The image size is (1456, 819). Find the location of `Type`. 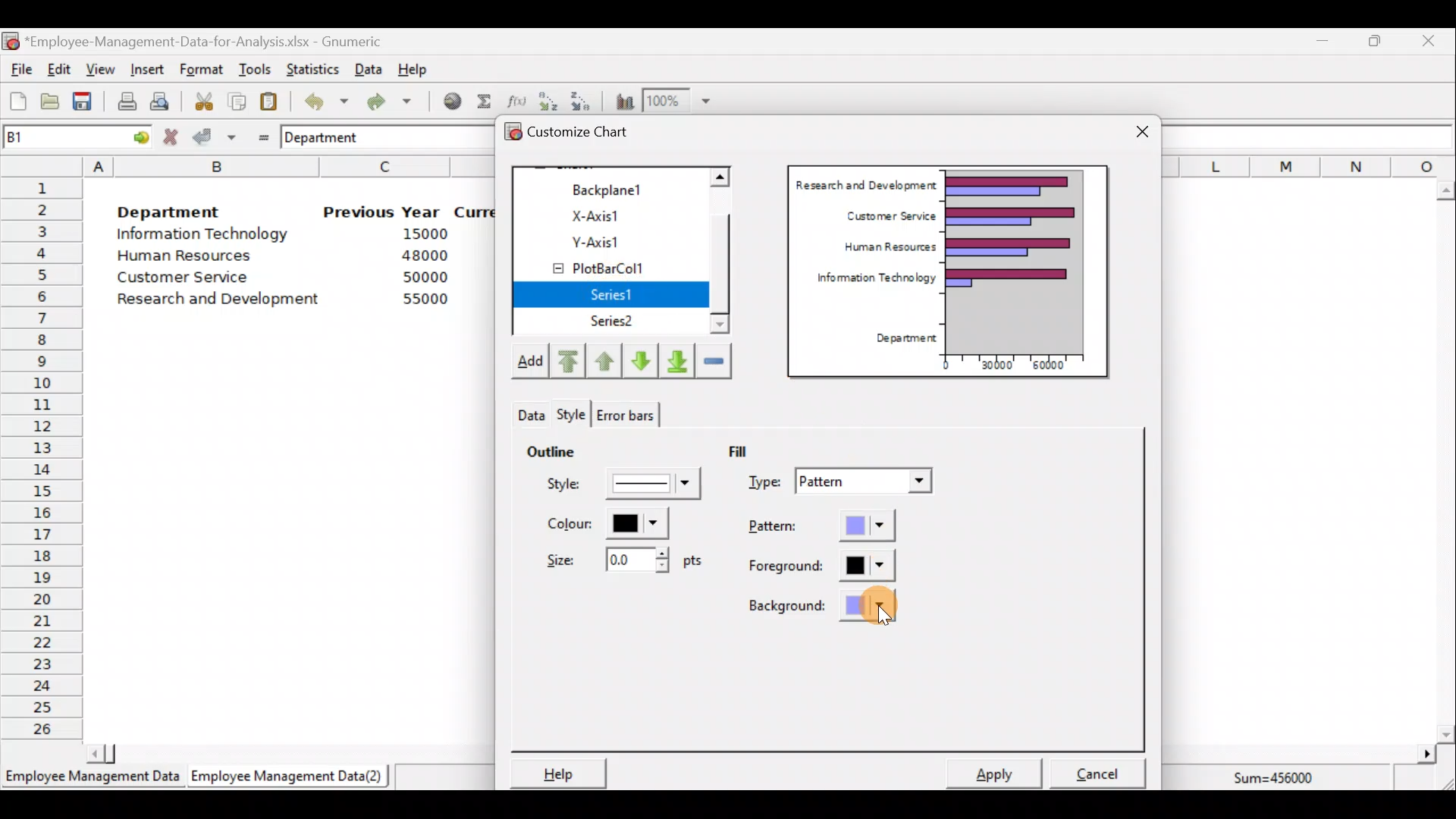

Type is located at coordinates (843, 483).